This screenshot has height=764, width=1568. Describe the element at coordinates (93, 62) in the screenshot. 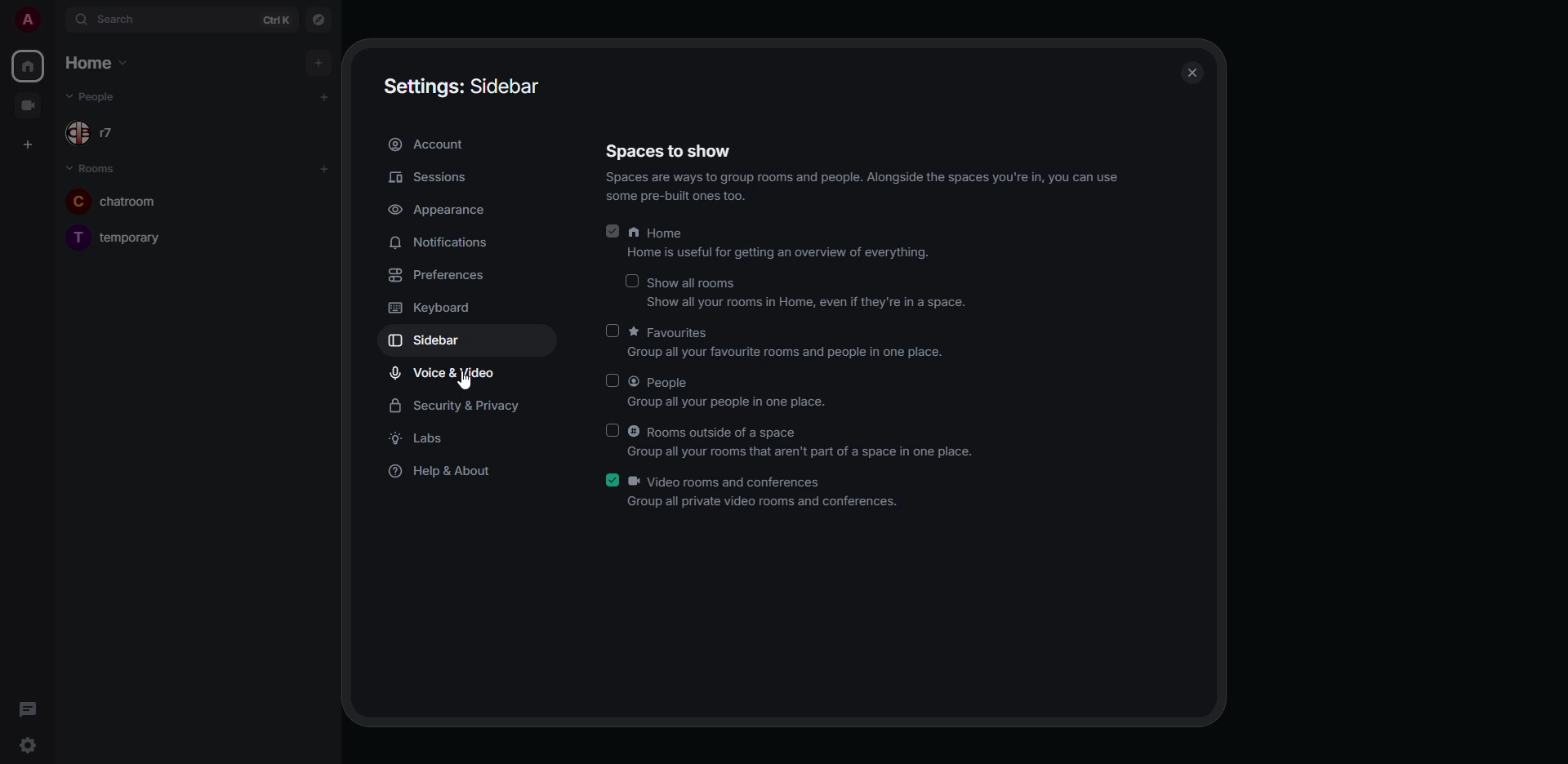

I see `home` at that location.